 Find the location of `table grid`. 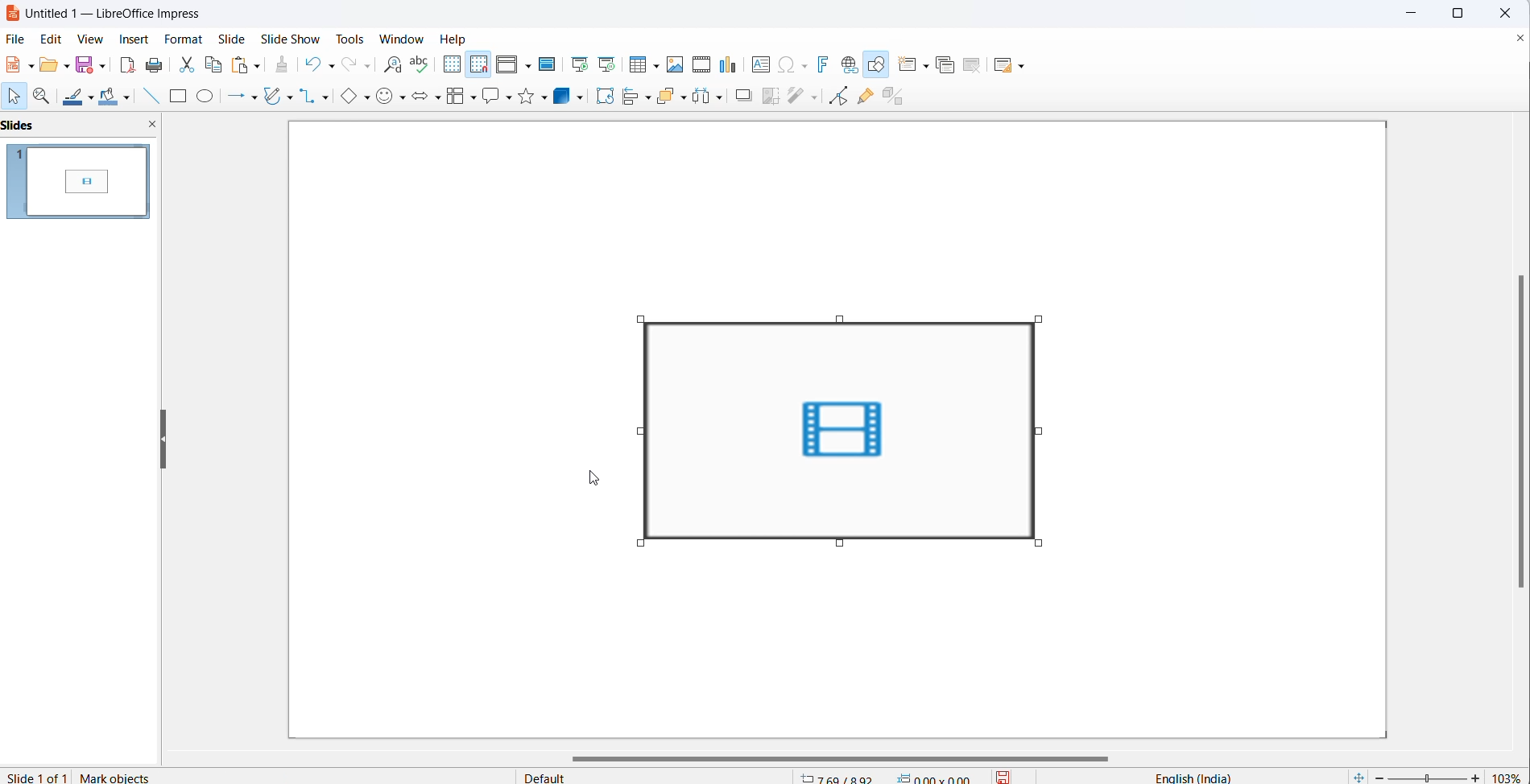

table grid is located at coordinates (655, 66).